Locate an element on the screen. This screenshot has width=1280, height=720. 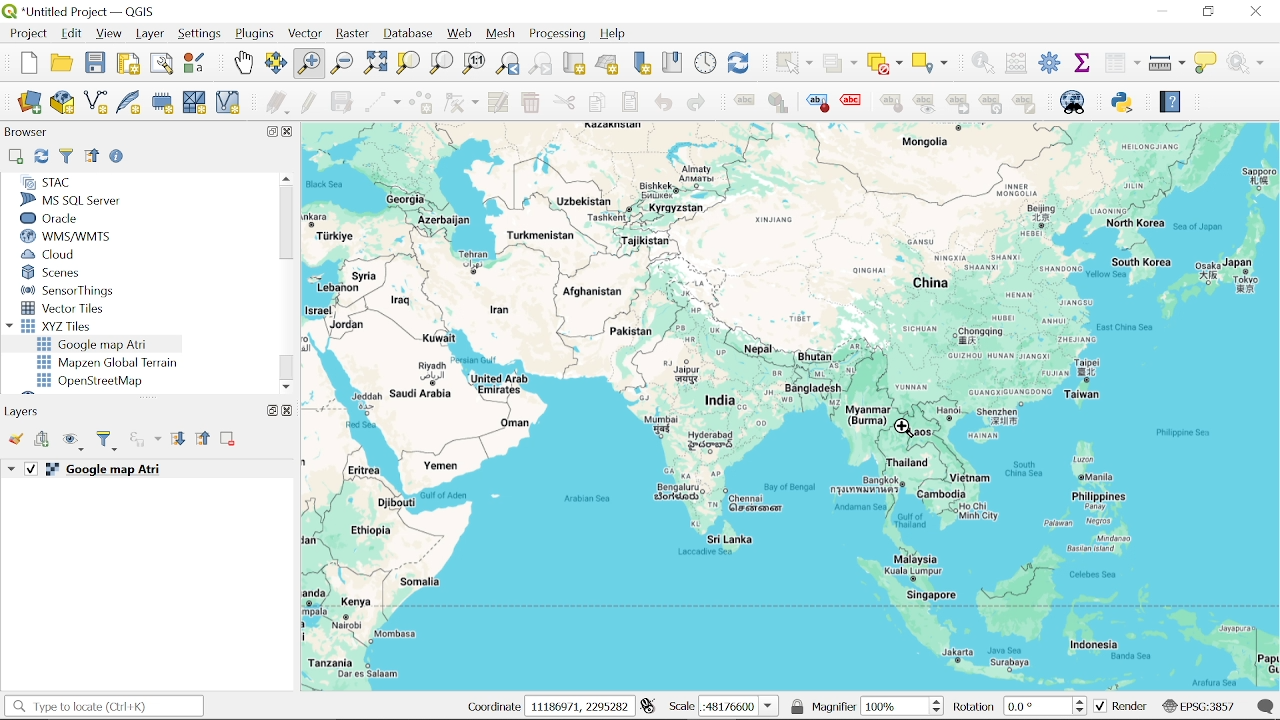
Highlihght pinned labels is located at coordinates (817, 103).